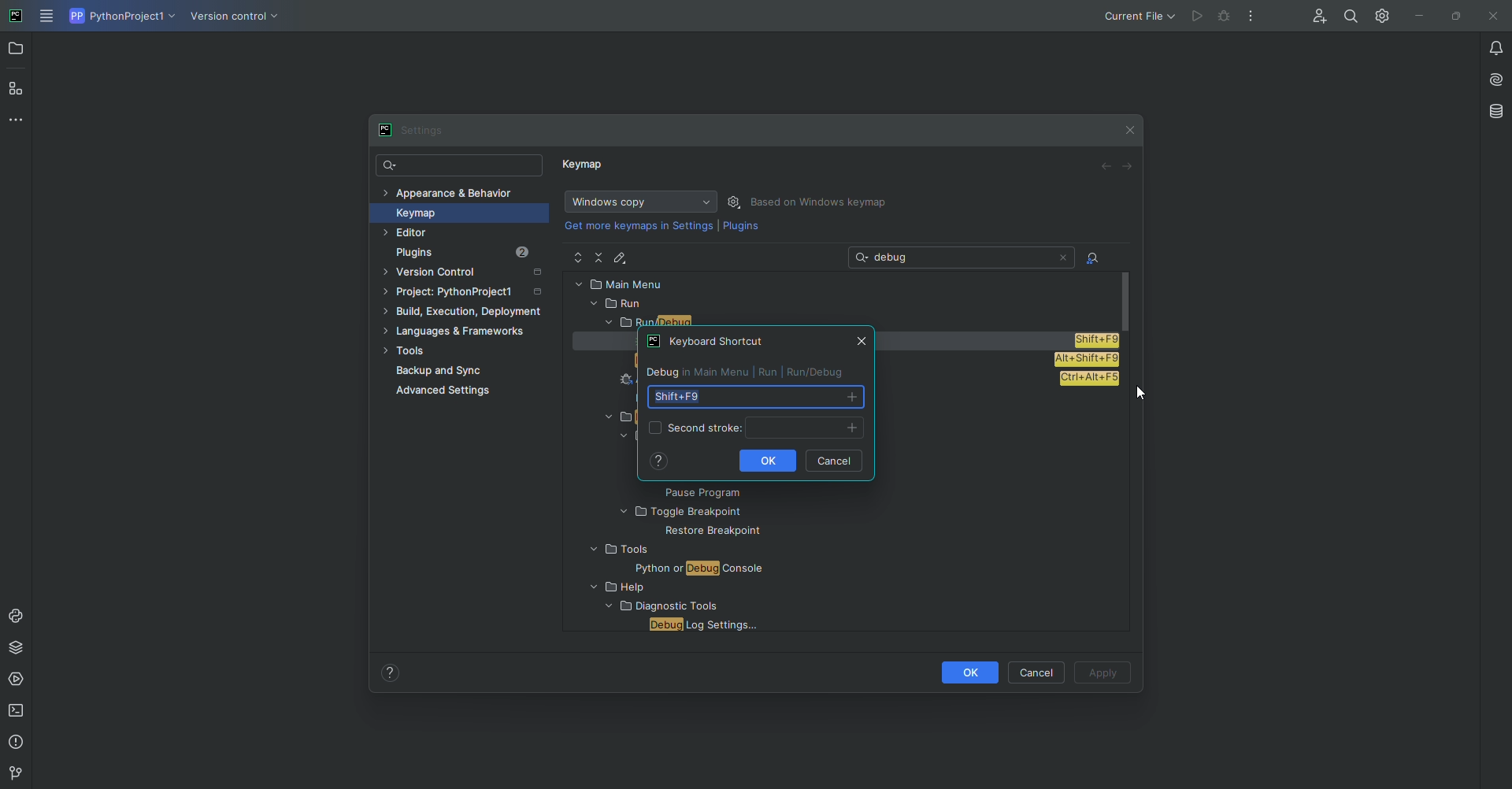 The height and width of the screenshot is (789, 1512). I want to click on shortcut, so click(753, 396).